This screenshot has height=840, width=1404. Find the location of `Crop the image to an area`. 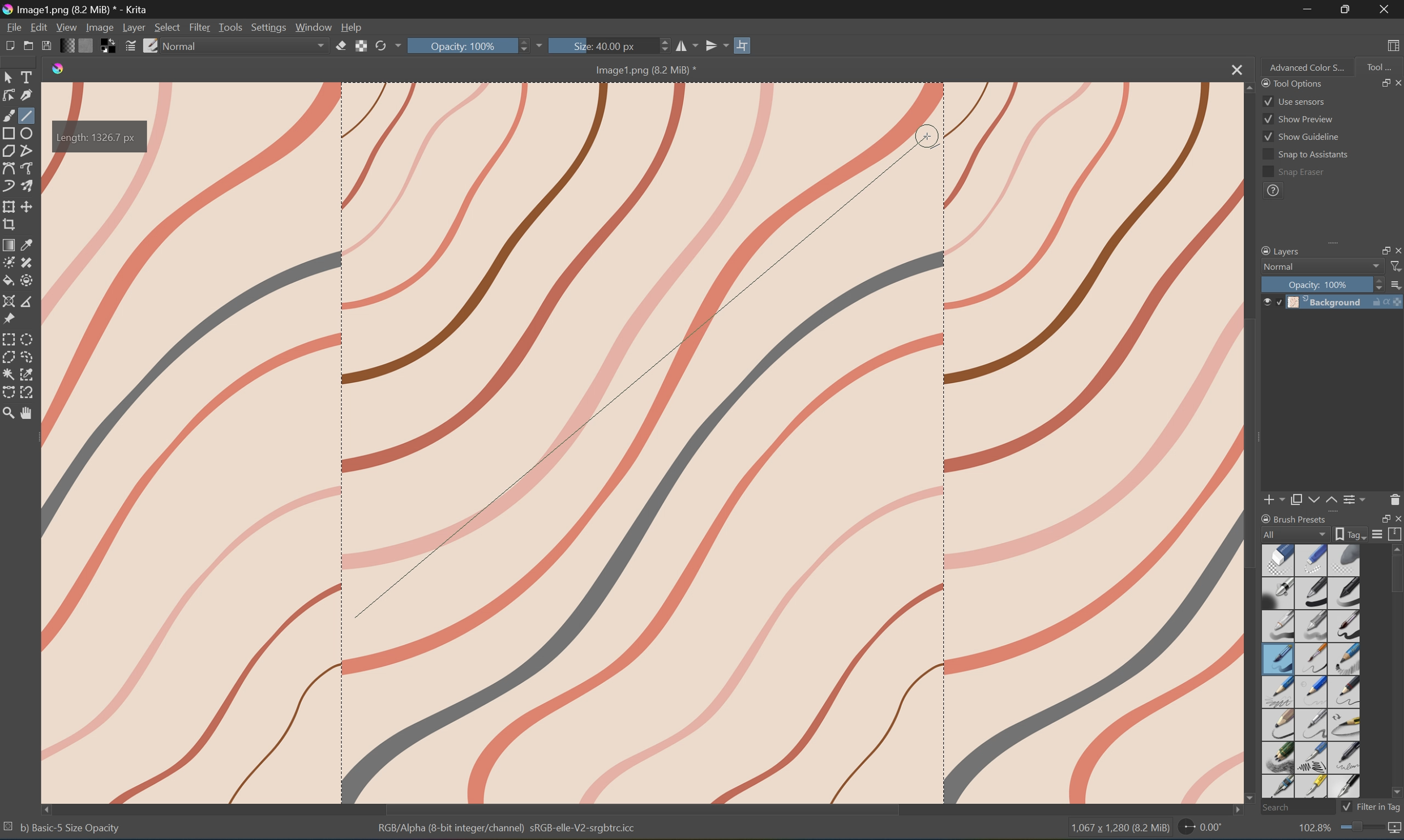

Crop the image to an area is located at coordinates (9, 225).